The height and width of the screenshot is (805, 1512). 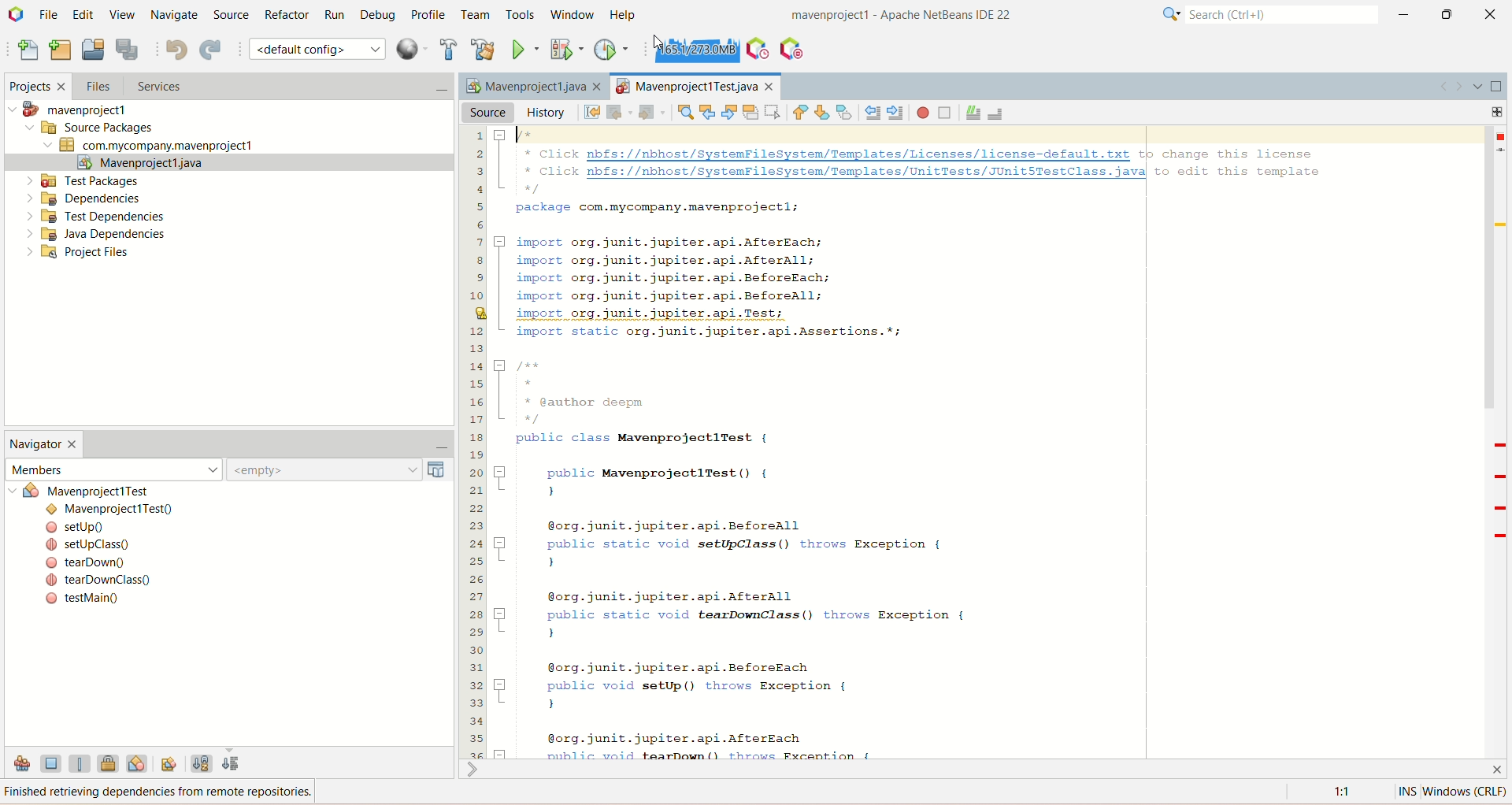 What do you see at coordinates (339, 469) in the screenshot?
I see `empty` at bounding box center [339, 469].